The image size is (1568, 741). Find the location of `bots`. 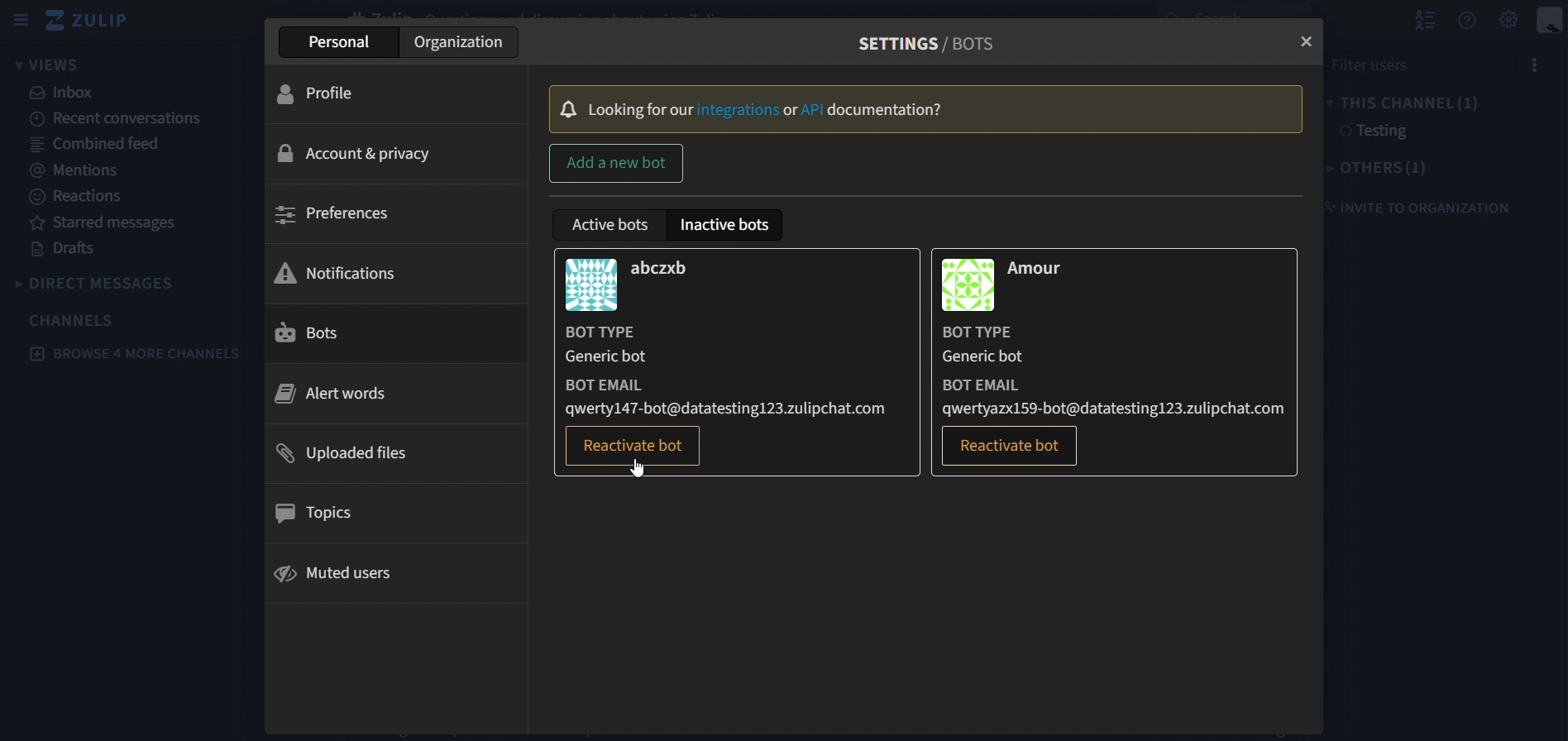

bots is located at coordinates (318, 334).